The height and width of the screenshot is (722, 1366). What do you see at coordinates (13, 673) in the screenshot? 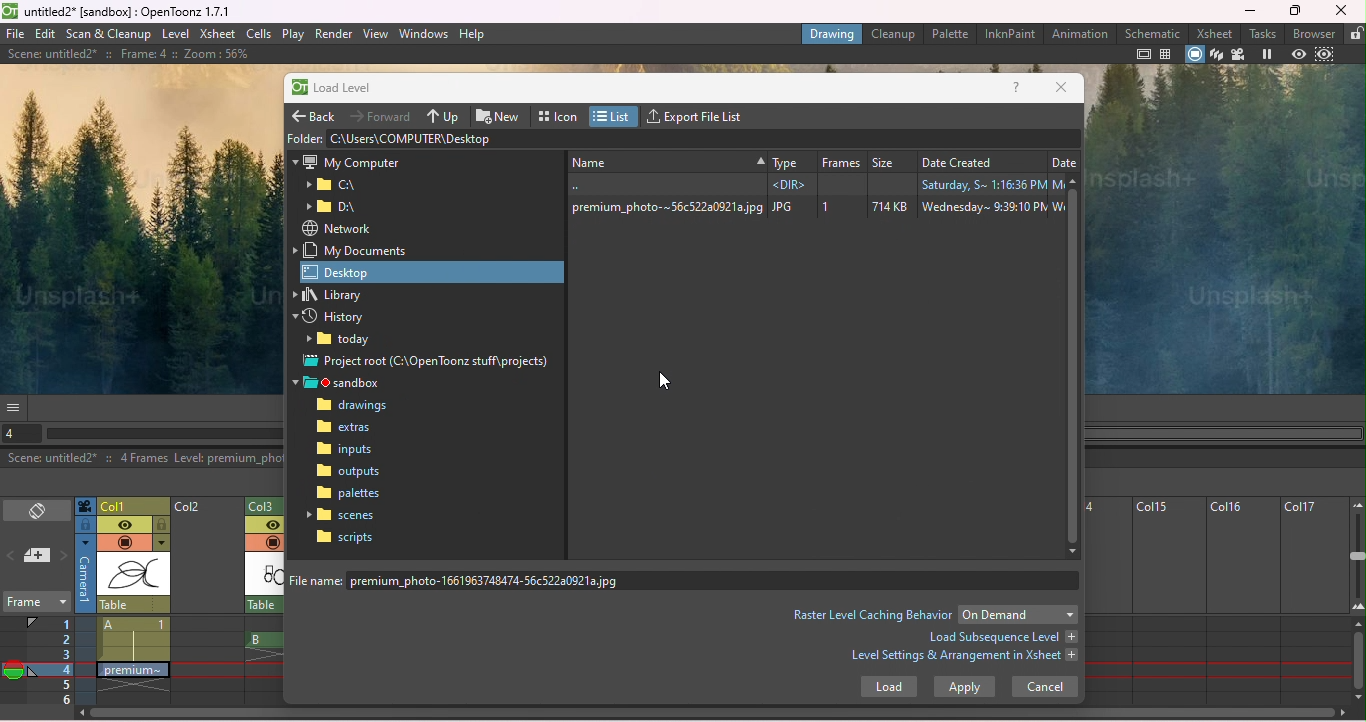
I see `Onion skin` at bounding box center [13, 673].